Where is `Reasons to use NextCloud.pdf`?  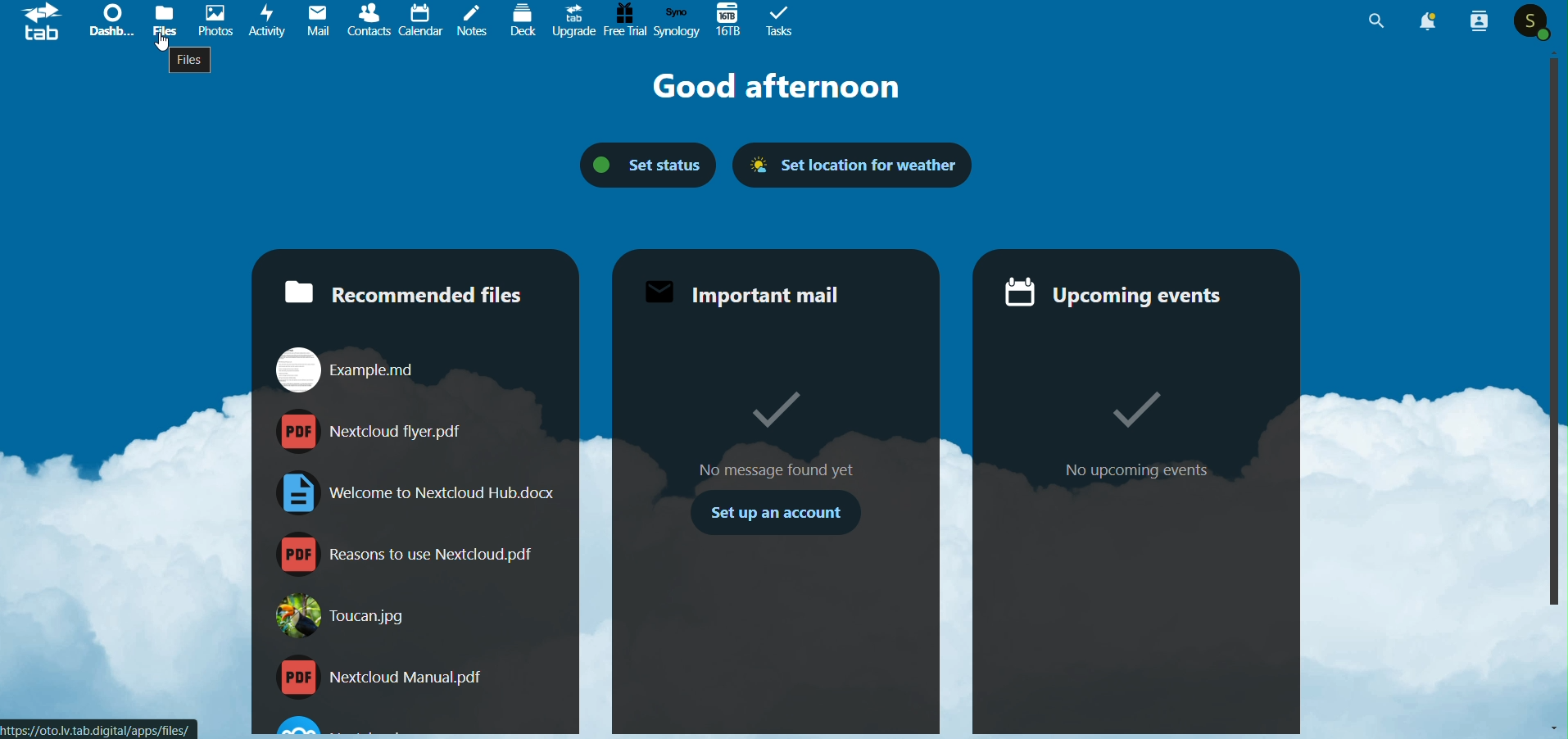 Reasons to use NextCloud.pdf is located at coordinates (410, 551).